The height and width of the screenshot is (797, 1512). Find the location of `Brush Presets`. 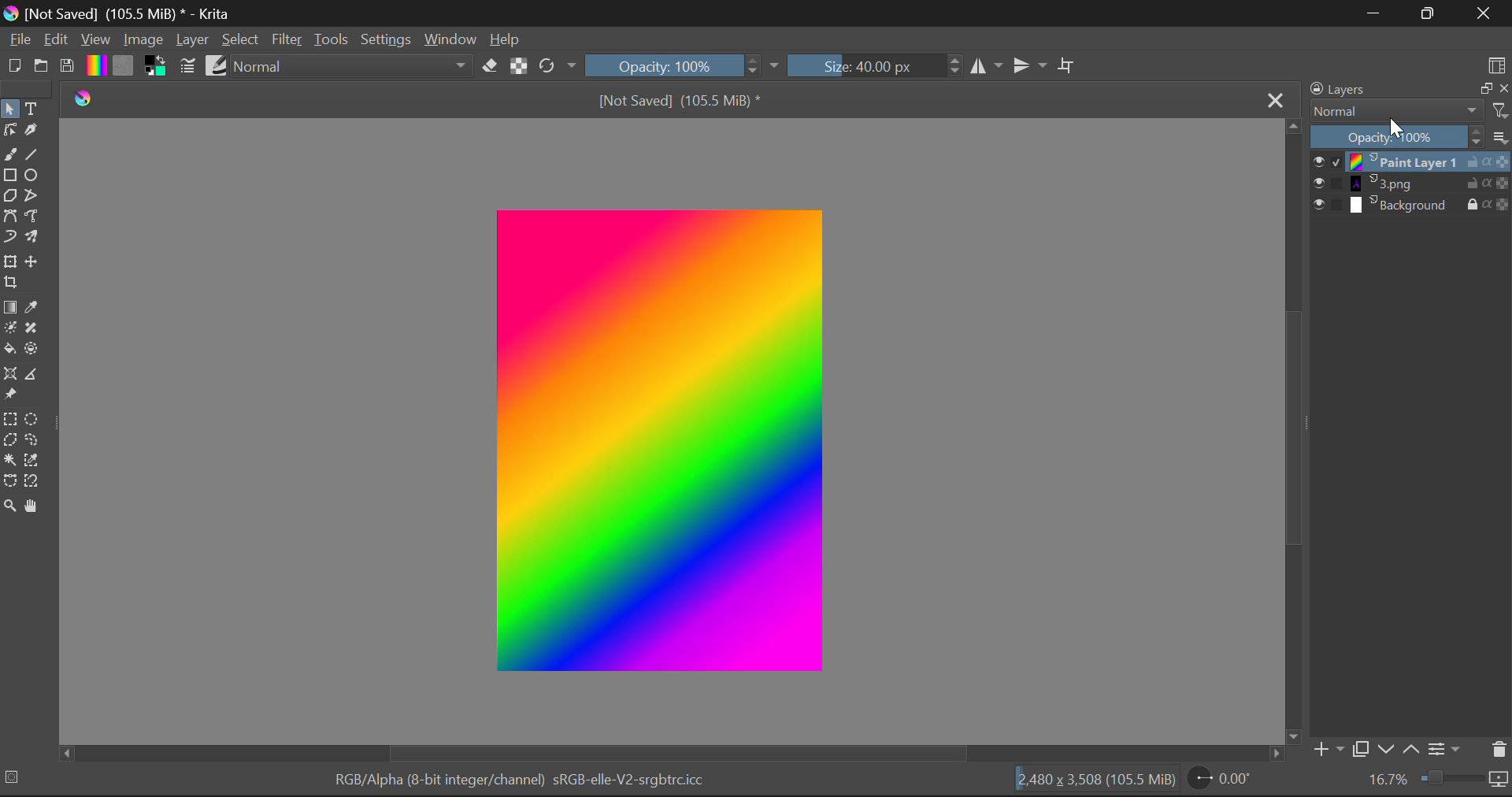

Brush Presets is located at coordinates (217, 67).